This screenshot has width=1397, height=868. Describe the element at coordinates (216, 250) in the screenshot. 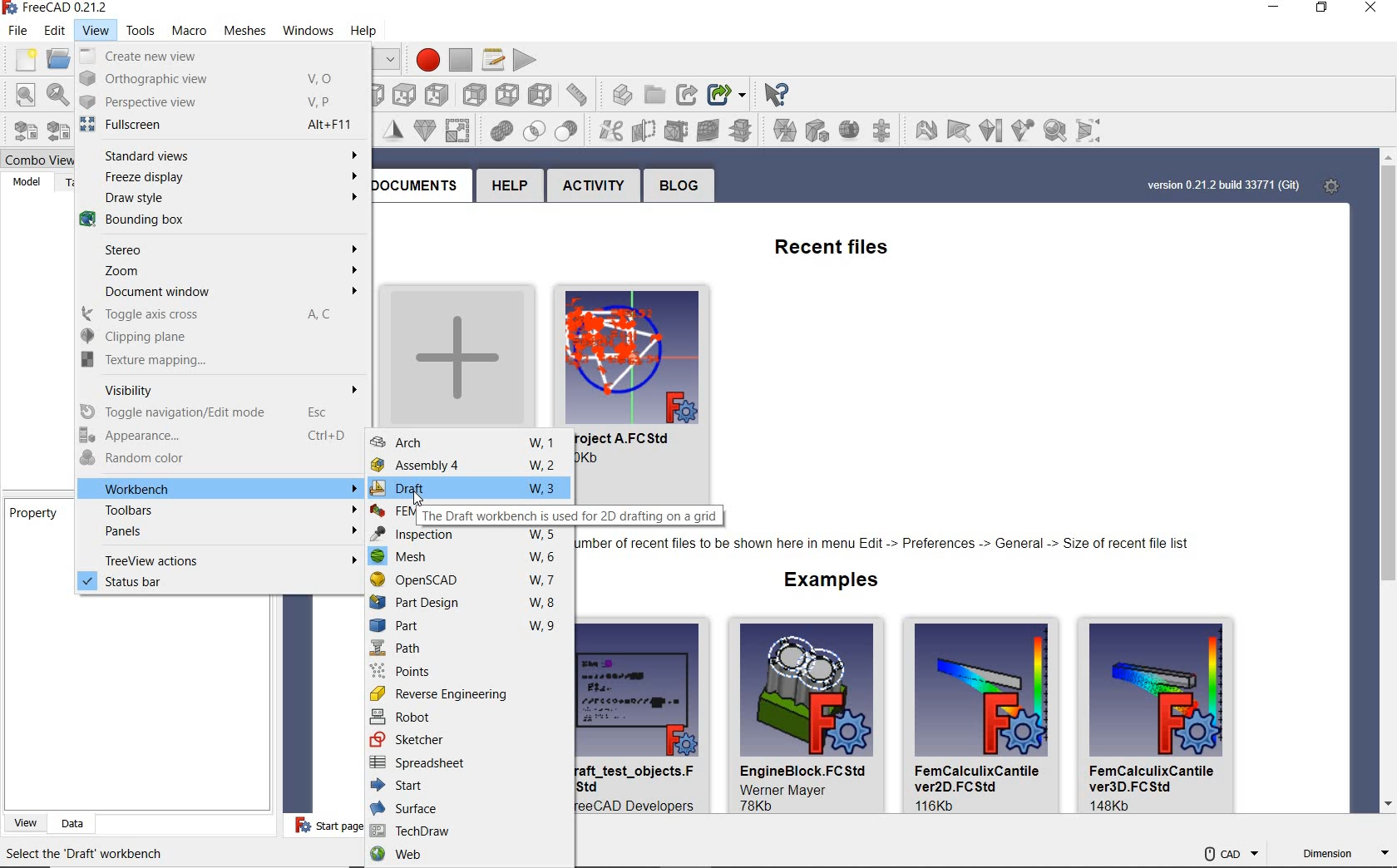

I see `stereo` at that location.